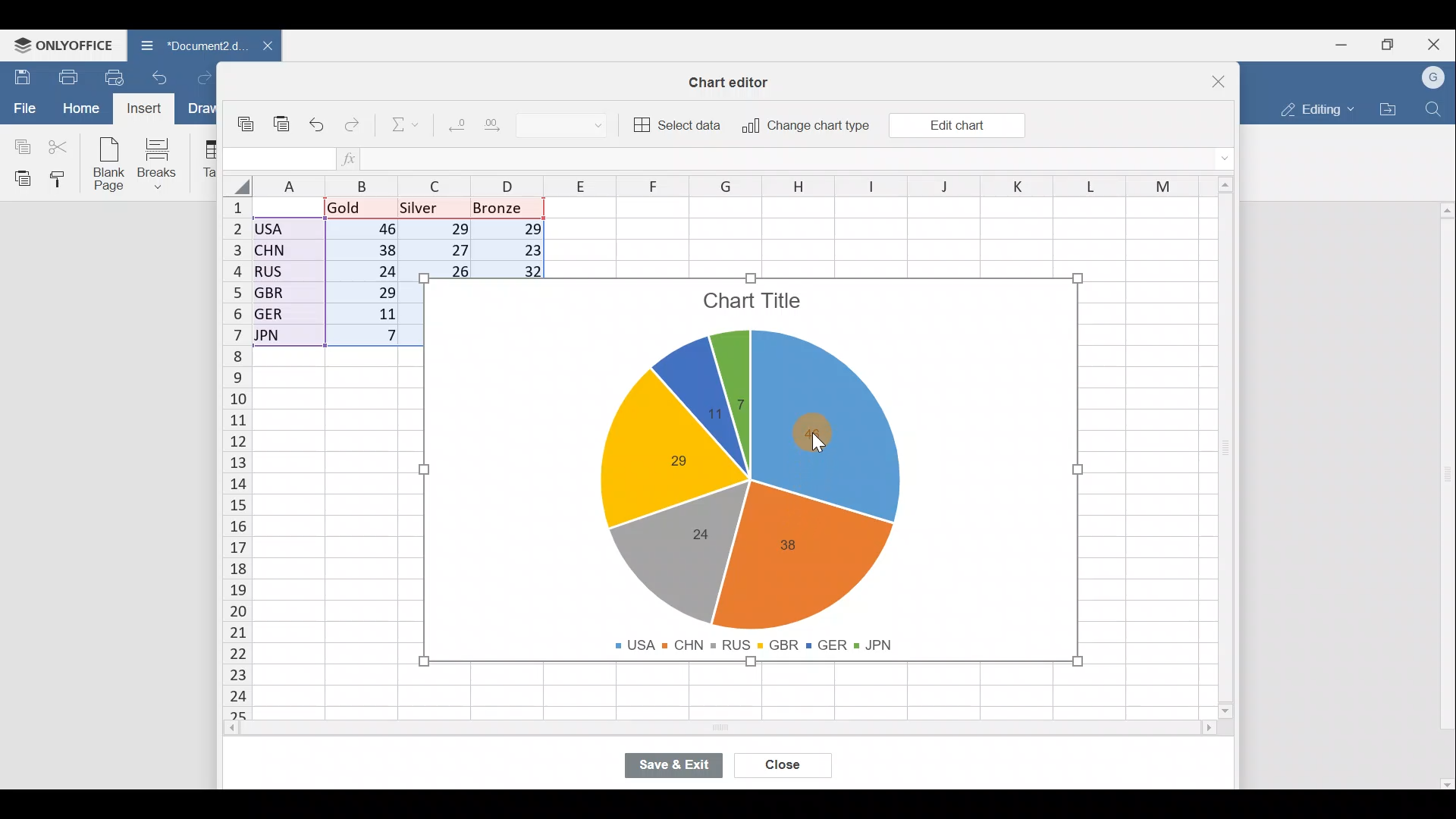  I want to click on Decrease decimal, so click(456, 121).